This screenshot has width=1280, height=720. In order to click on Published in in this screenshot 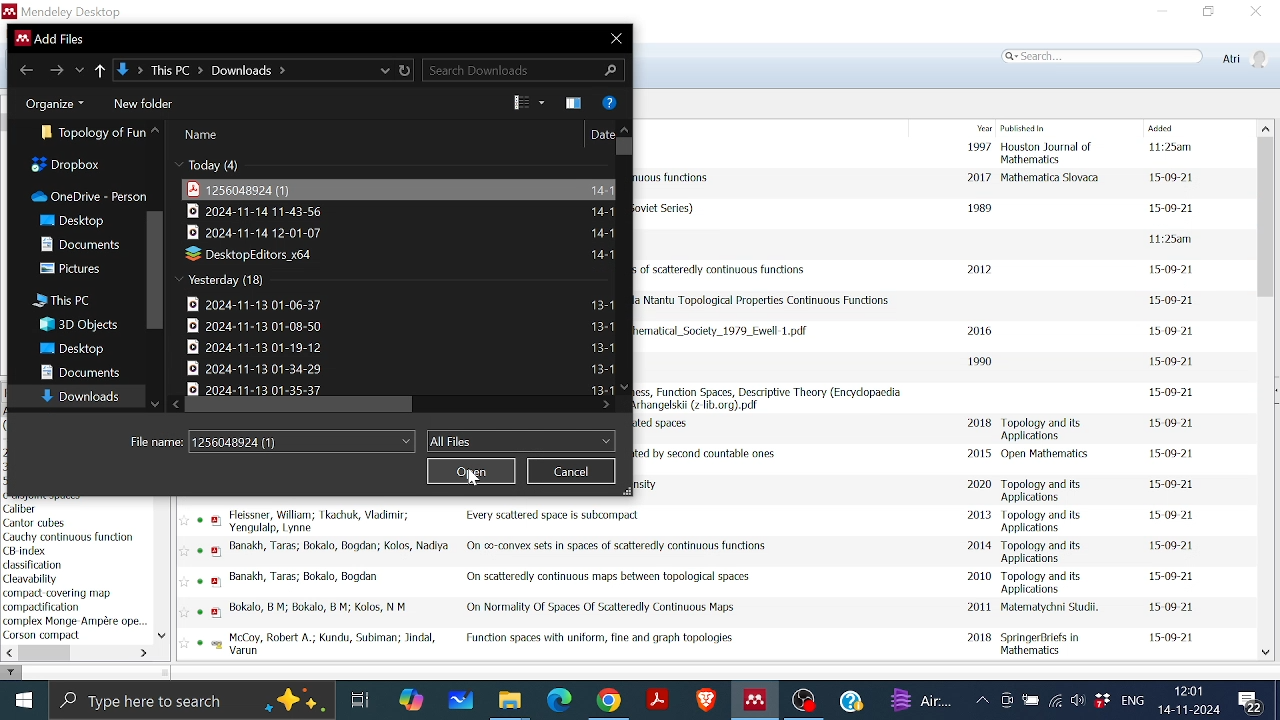, I will do `click(1043, 644)`.